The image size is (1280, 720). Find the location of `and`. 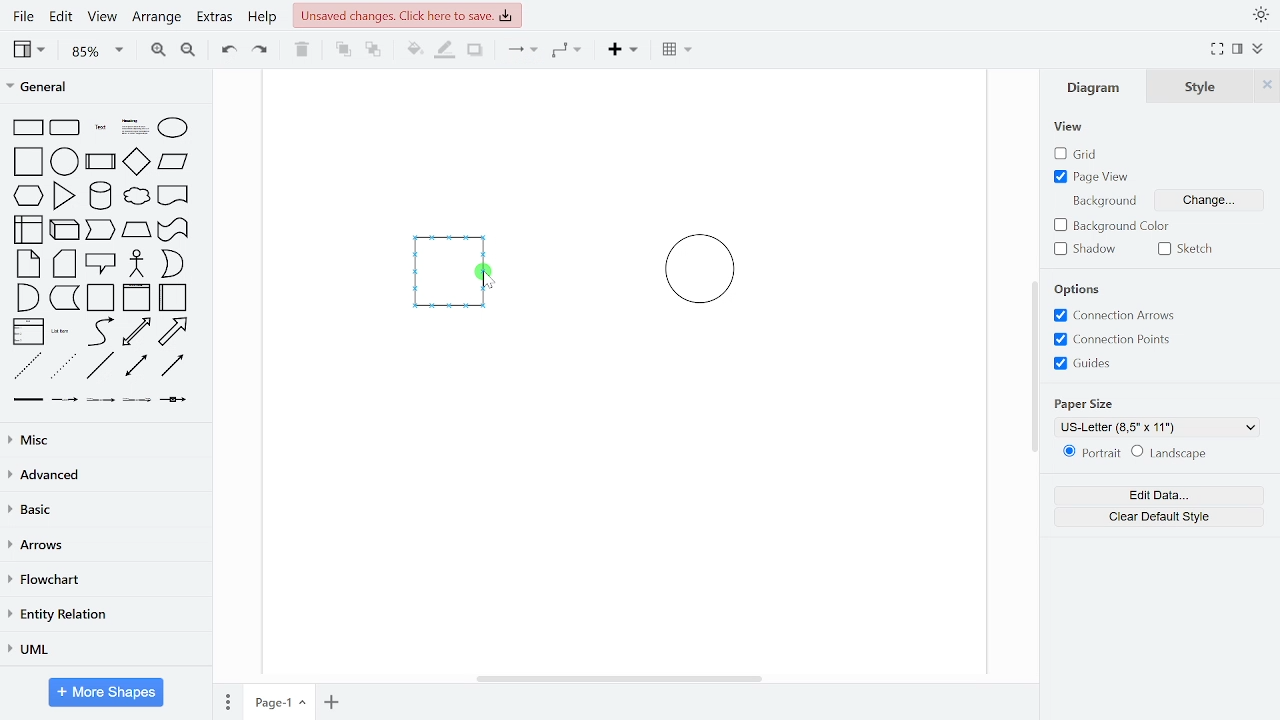

and is located at coordinates (28, 296).